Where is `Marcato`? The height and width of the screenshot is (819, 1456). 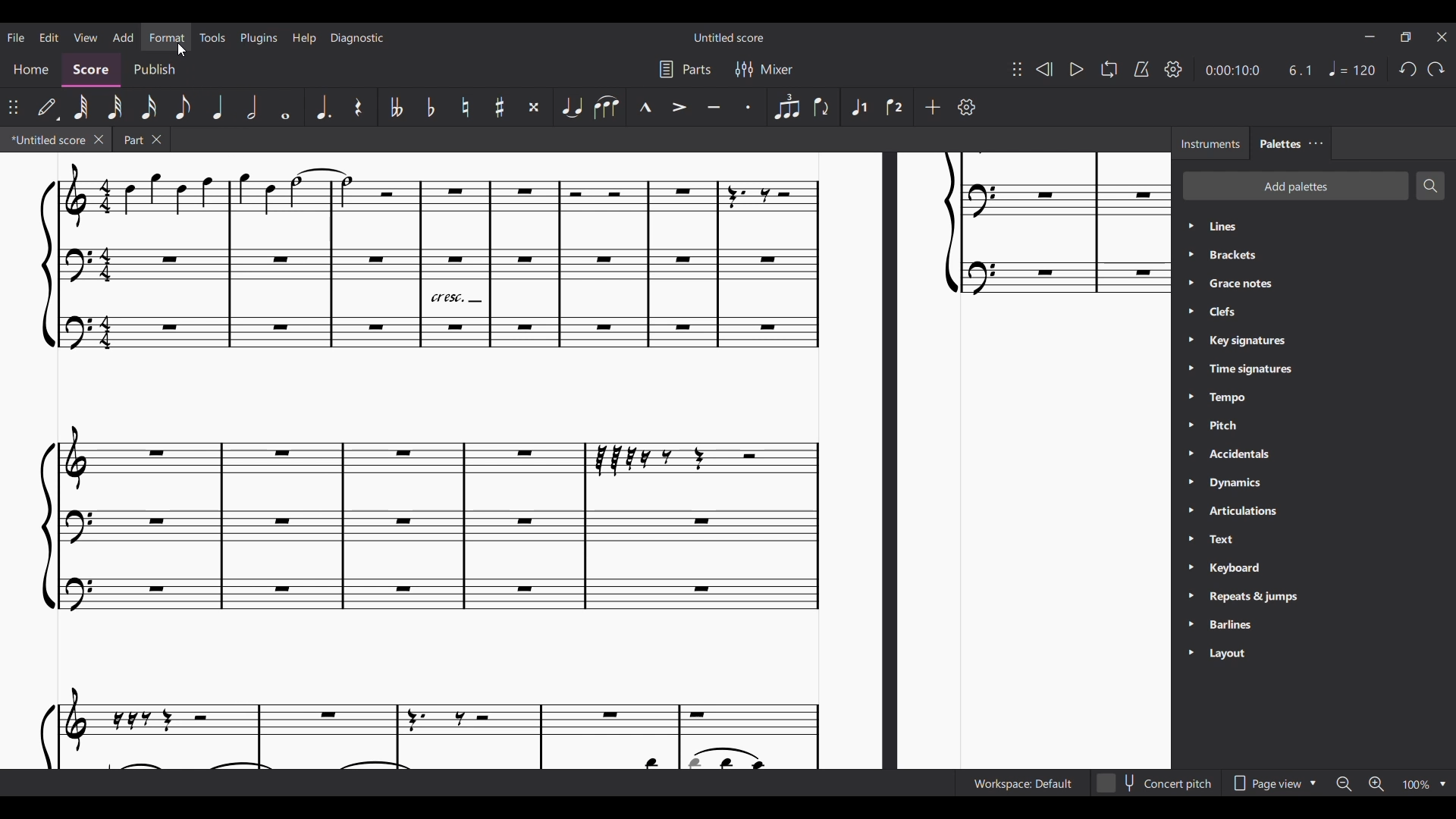
Marcato is located at coordinates (645, 107).